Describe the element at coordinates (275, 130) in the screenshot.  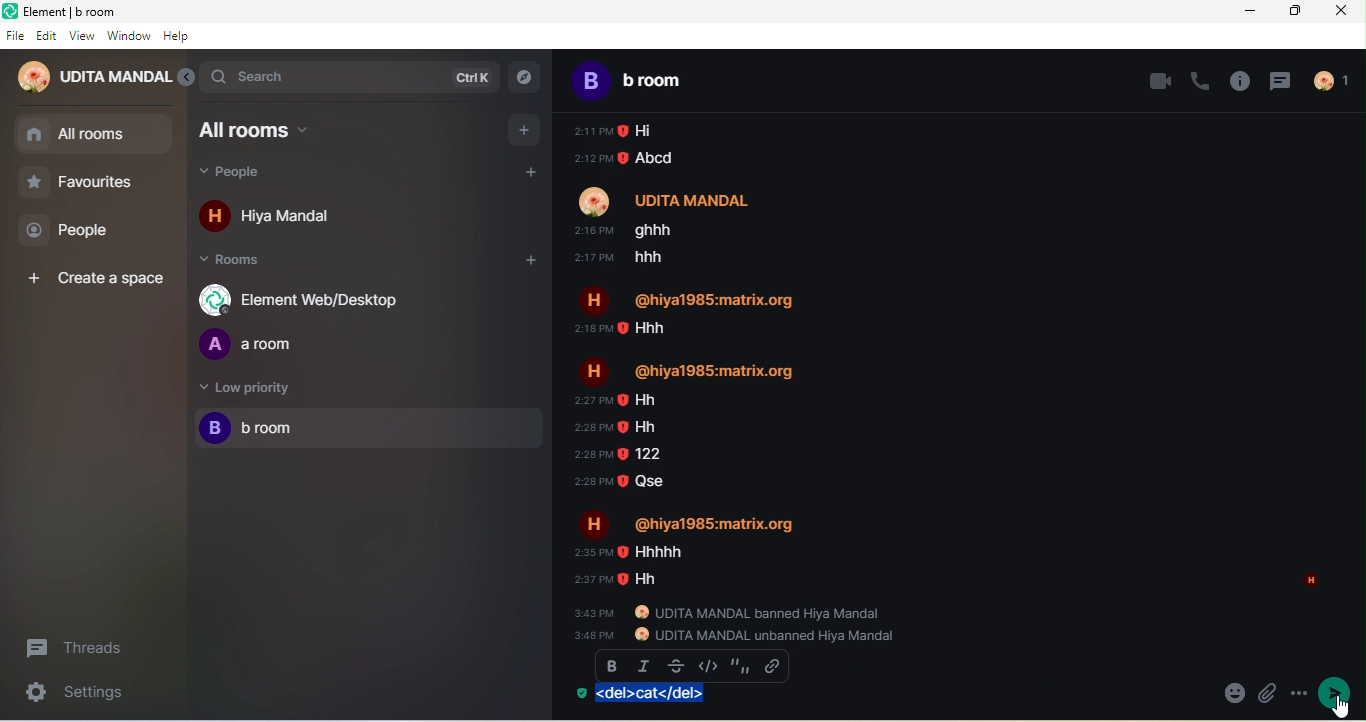
I see `all rooms` at that location.